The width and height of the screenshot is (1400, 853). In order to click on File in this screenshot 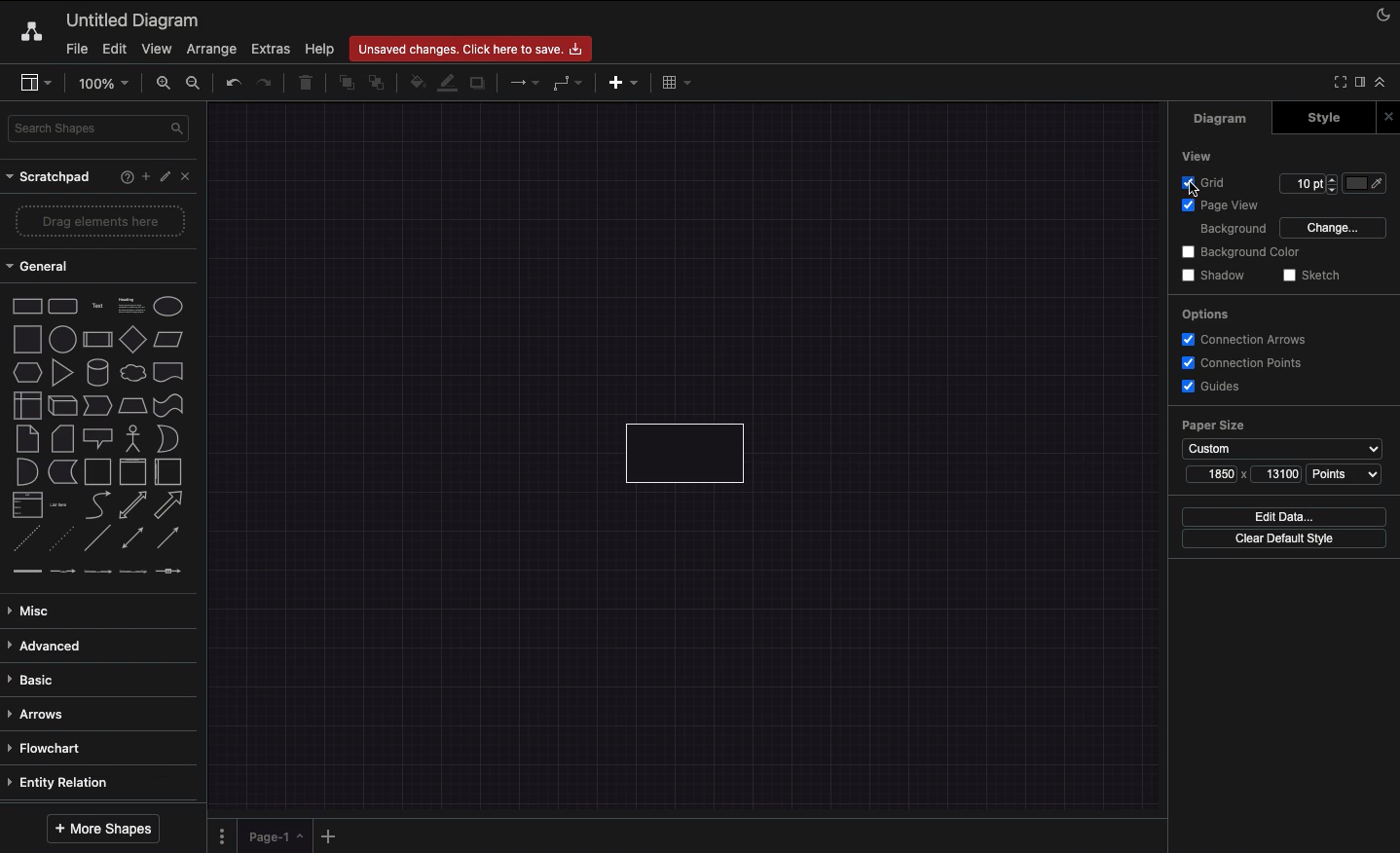, I will do `click(76, 49)`.